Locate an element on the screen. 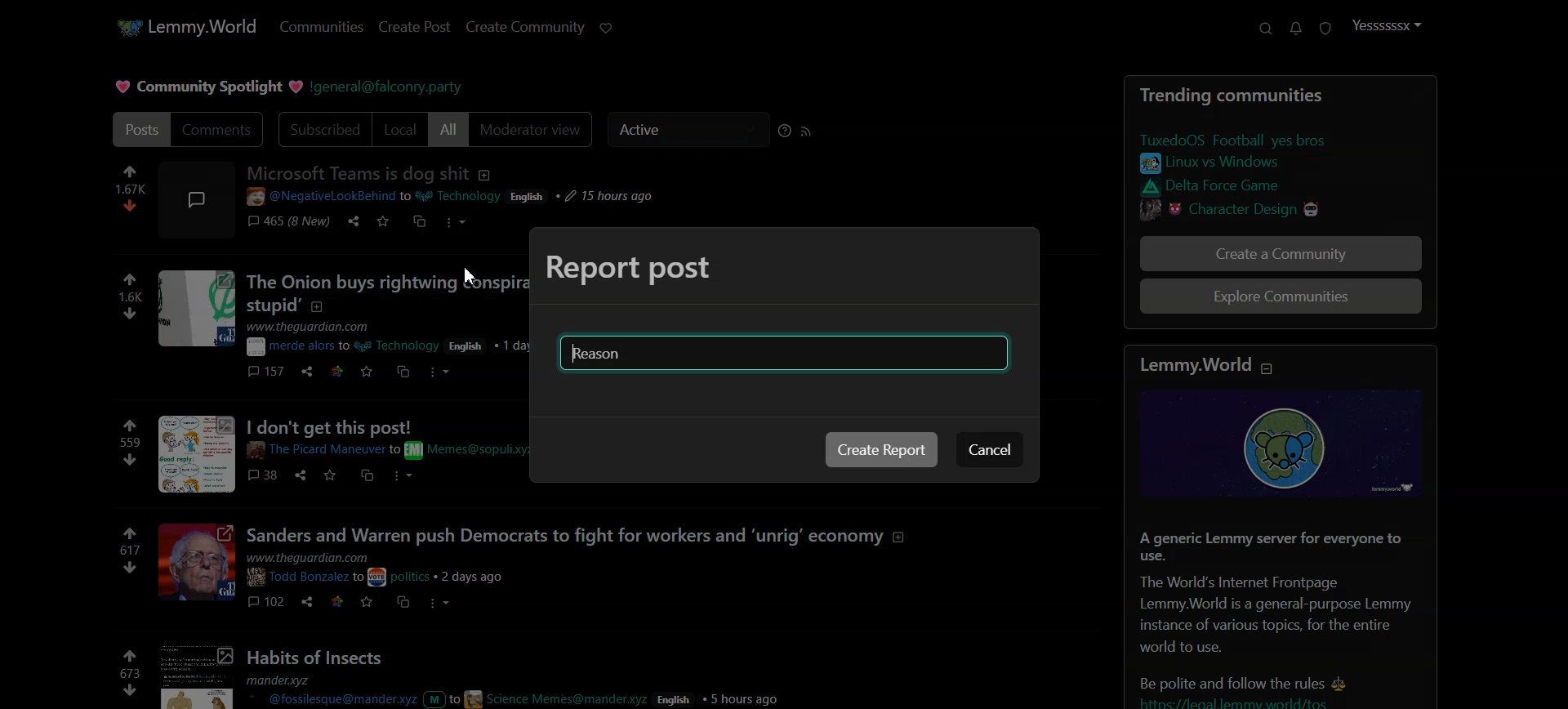  image is located at coordinates (194, 198).